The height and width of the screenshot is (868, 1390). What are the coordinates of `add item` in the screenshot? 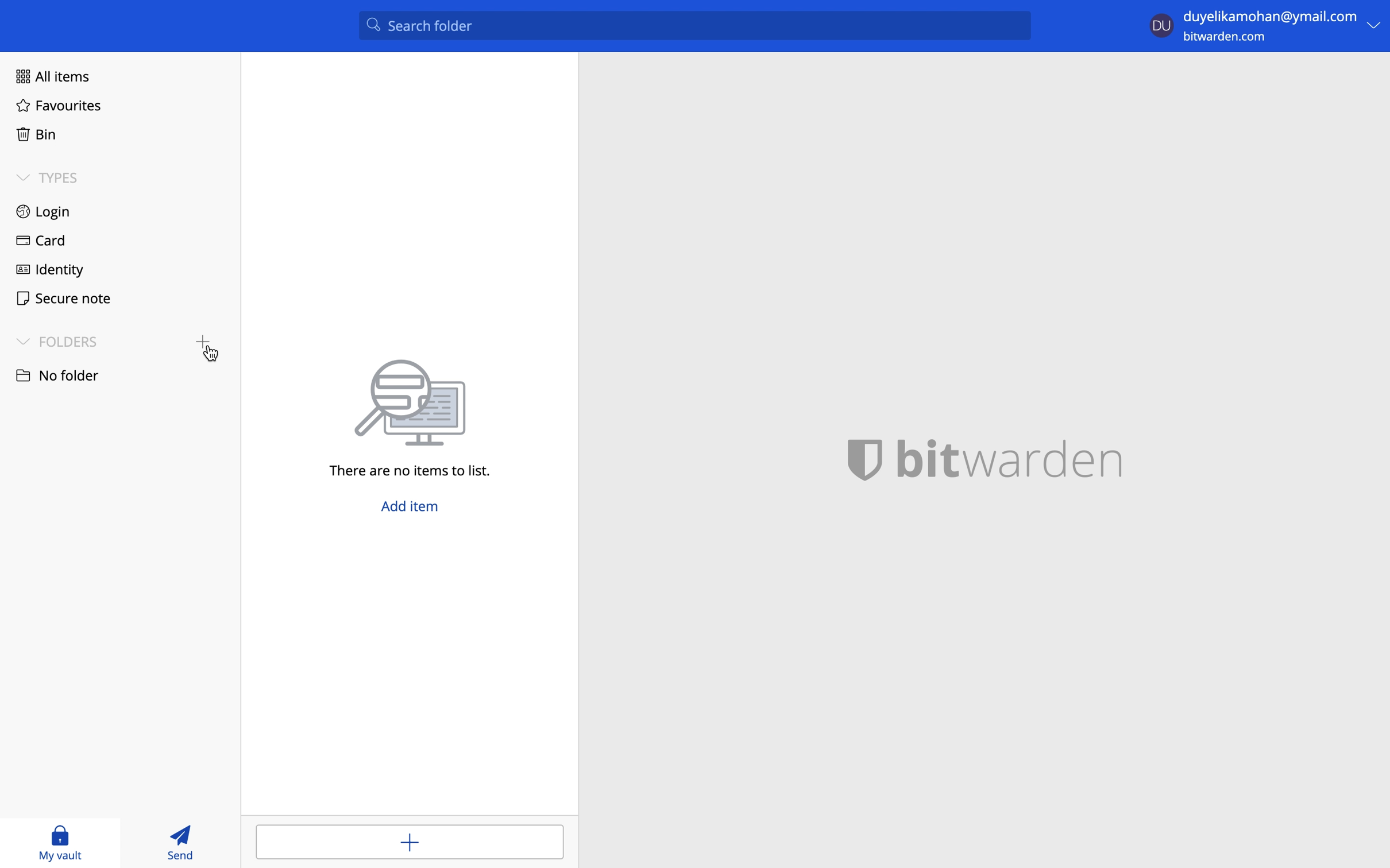 It's located at (409, 840).